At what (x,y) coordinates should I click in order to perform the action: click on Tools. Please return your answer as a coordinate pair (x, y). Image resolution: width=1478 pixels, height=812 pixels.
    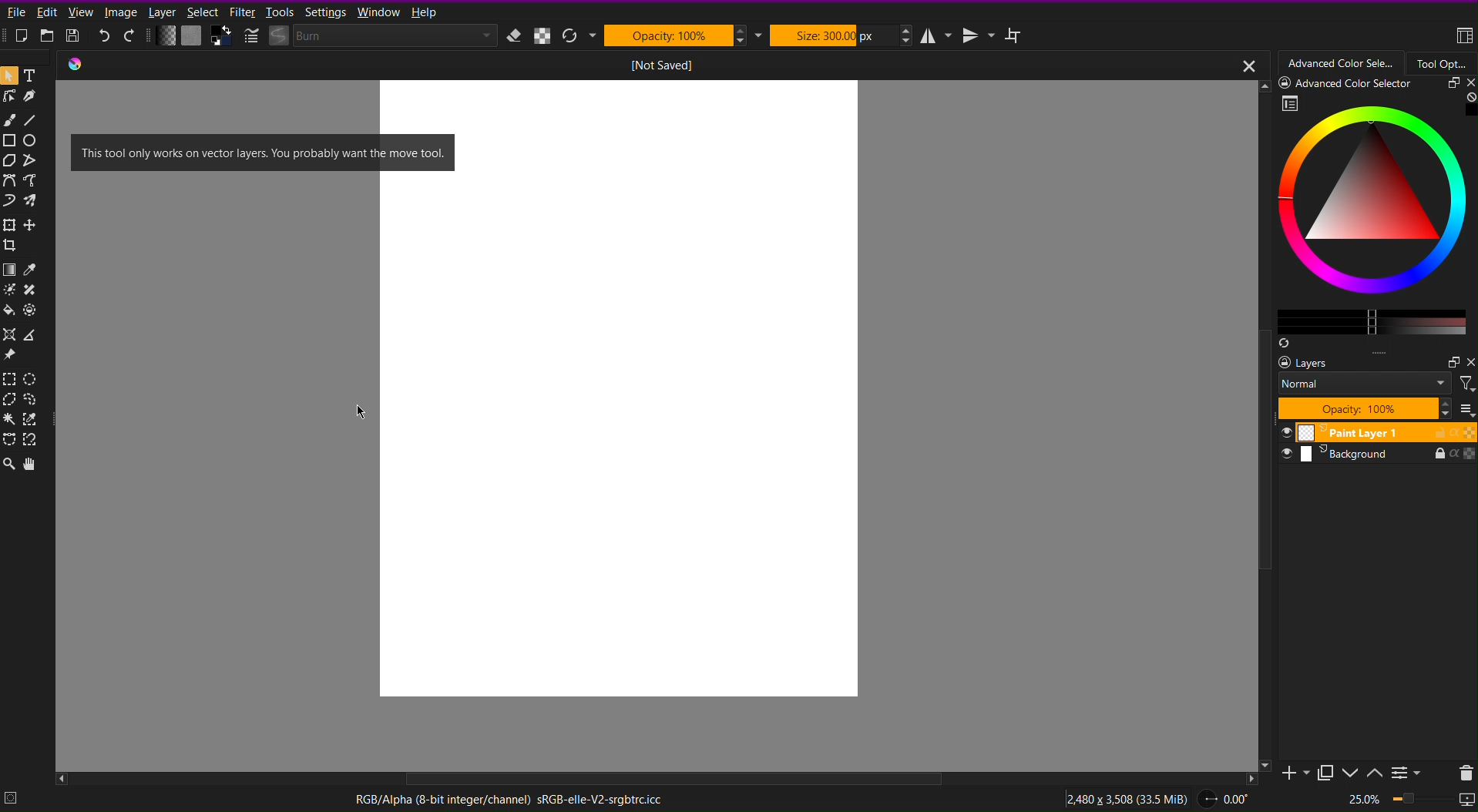
    Looking at the image, I should click on (280, 12).